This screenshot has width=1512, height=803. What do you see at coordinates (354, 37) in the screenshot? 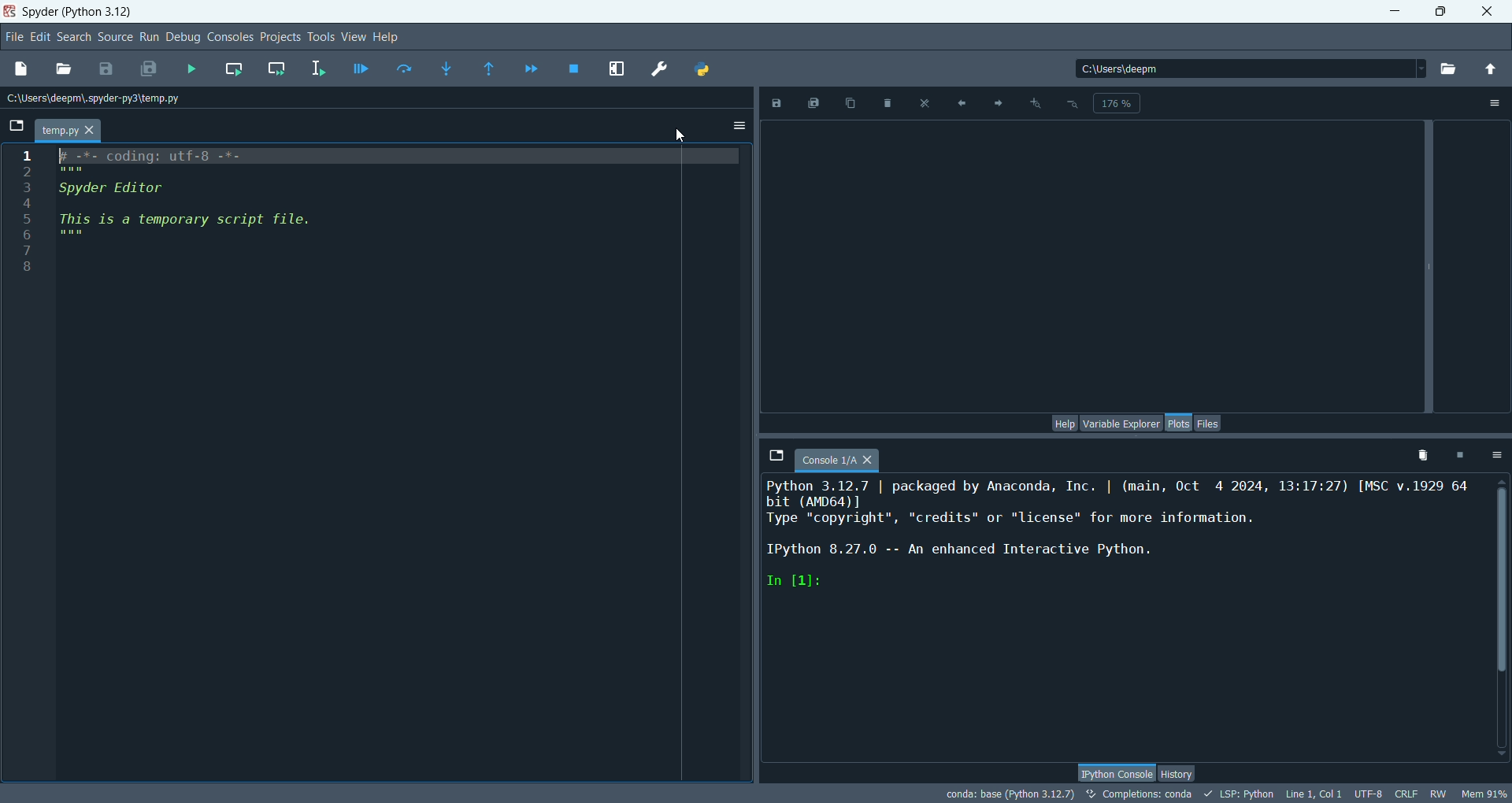
I see `view` at bounding box center [354, 37].